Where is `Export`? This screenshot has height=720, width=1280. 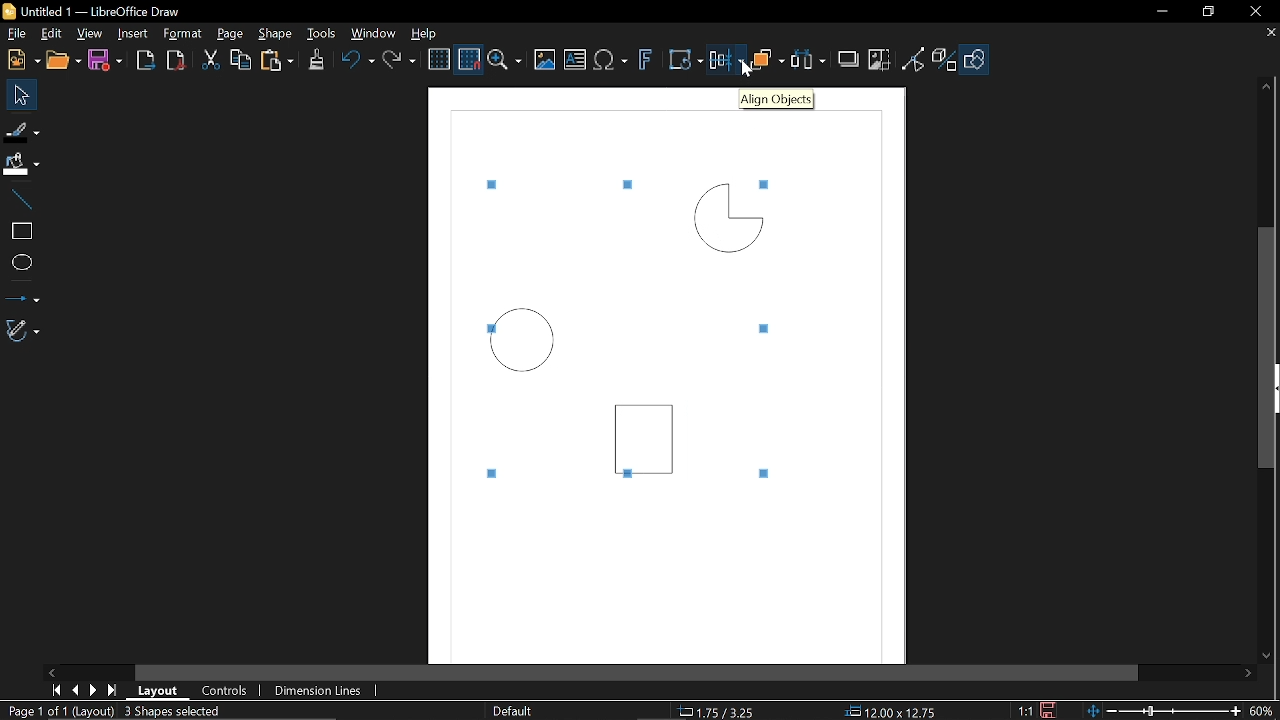
Export is located at coordinates (146, 60).